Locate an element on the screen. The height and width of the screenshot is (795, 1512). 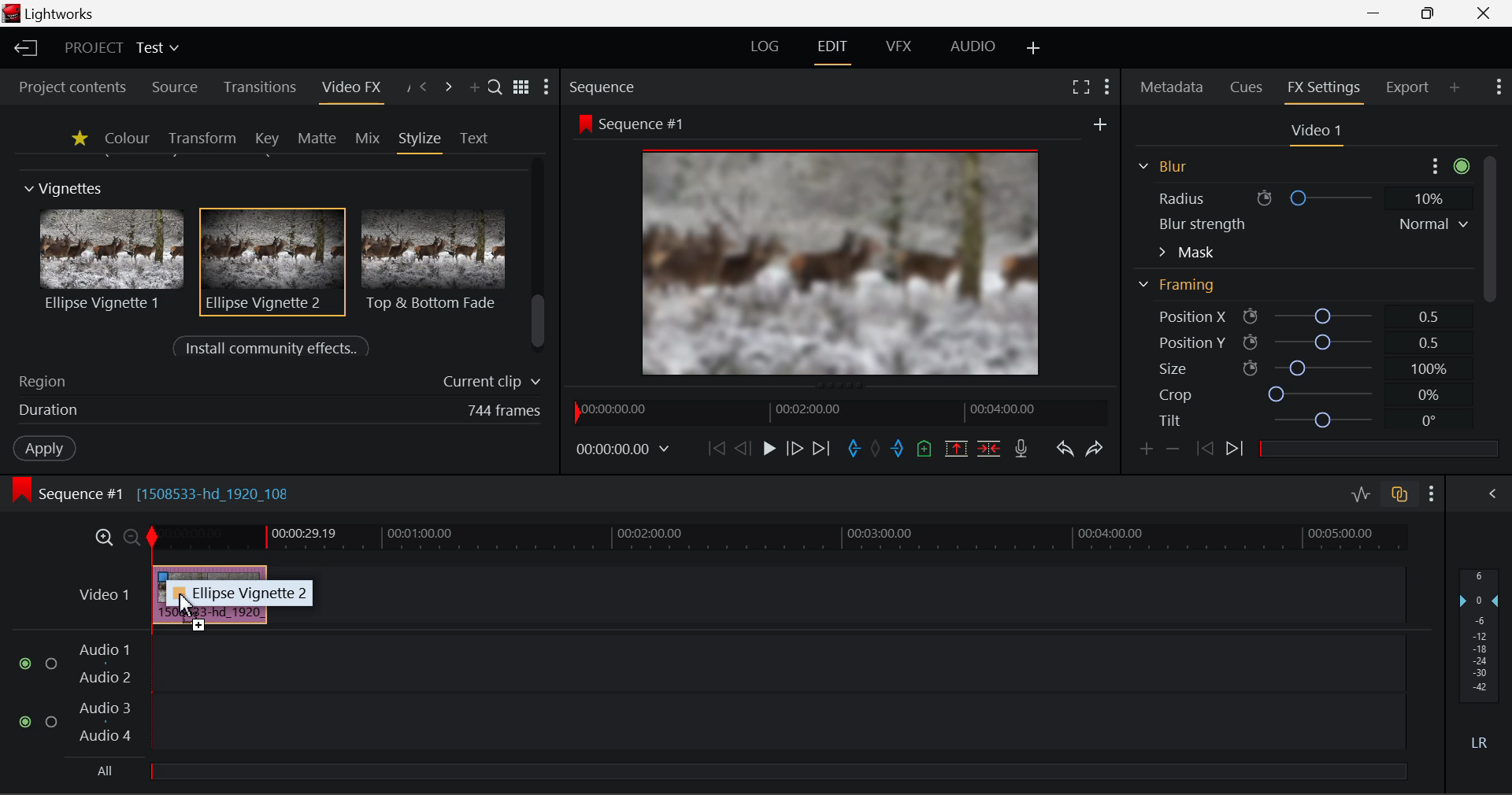
Back to Homepage is located at coordinates (23, 49).